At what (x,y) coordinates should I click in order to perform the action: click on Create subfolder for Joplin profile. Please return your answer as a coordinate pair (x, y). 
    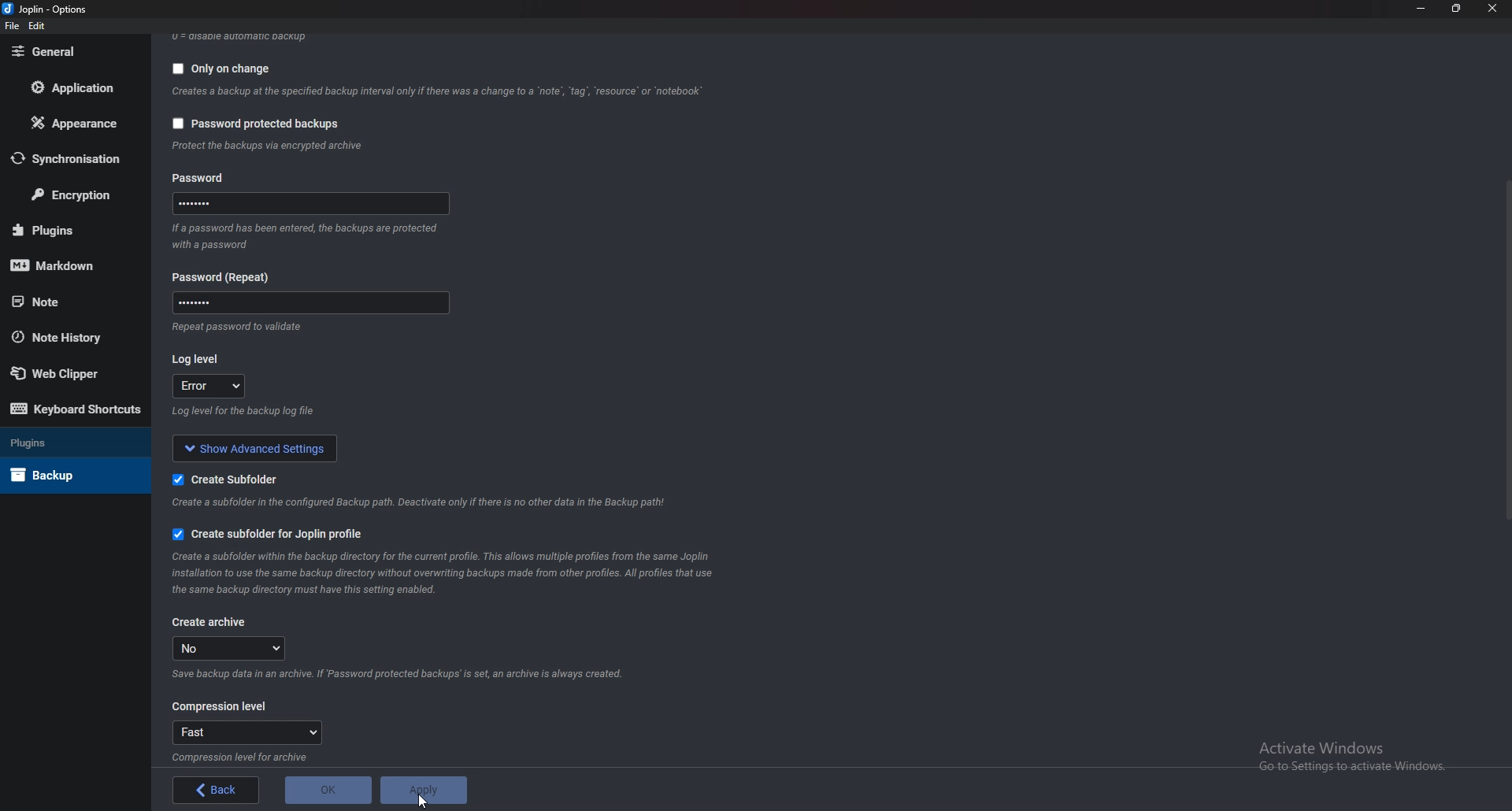
    Looking at the image, I should click on (269, 536).